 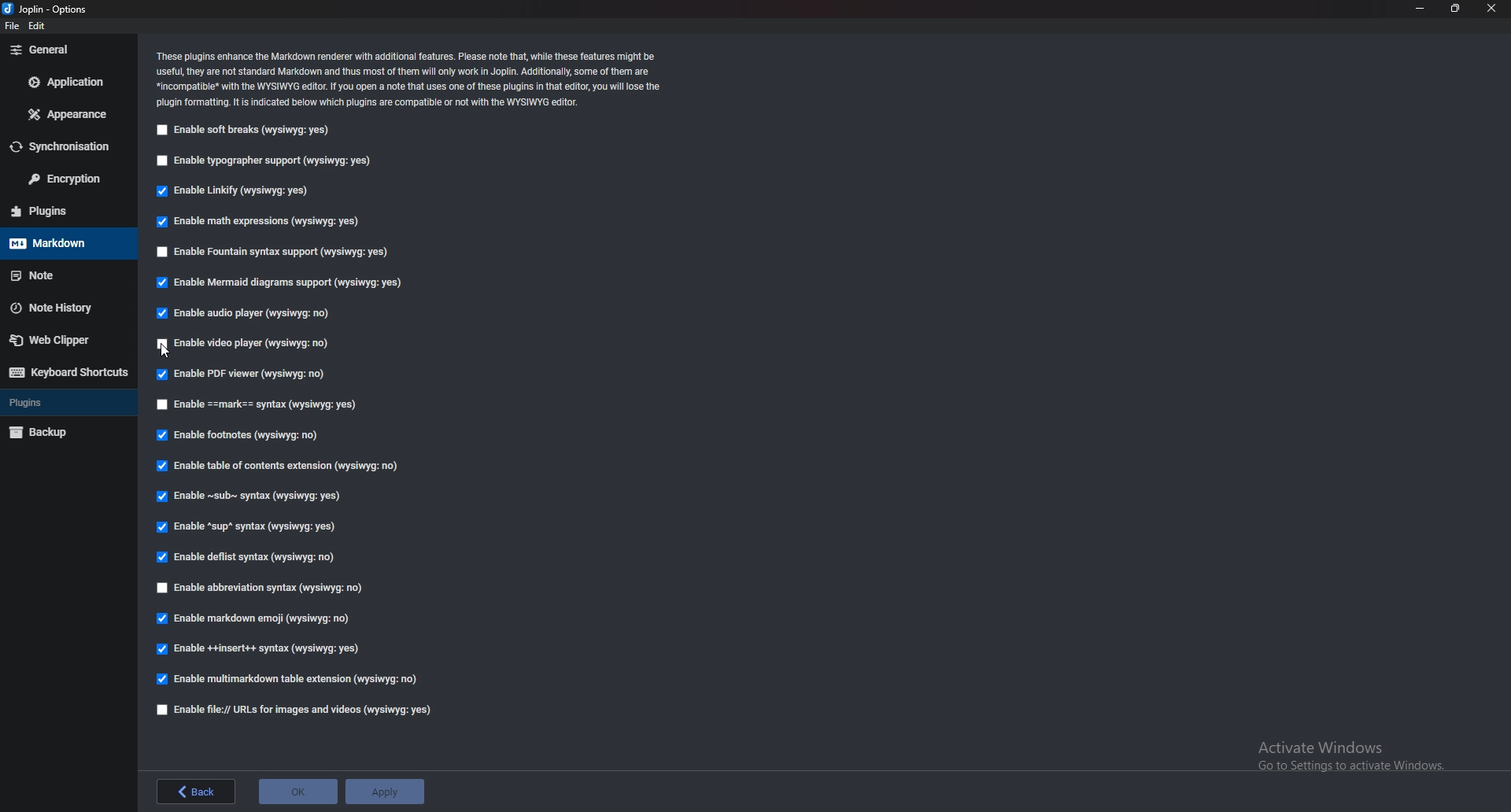 What do you see at coordinates (412, 80) in the screenshot?
I see `Info` at bounding box center [412, 80].